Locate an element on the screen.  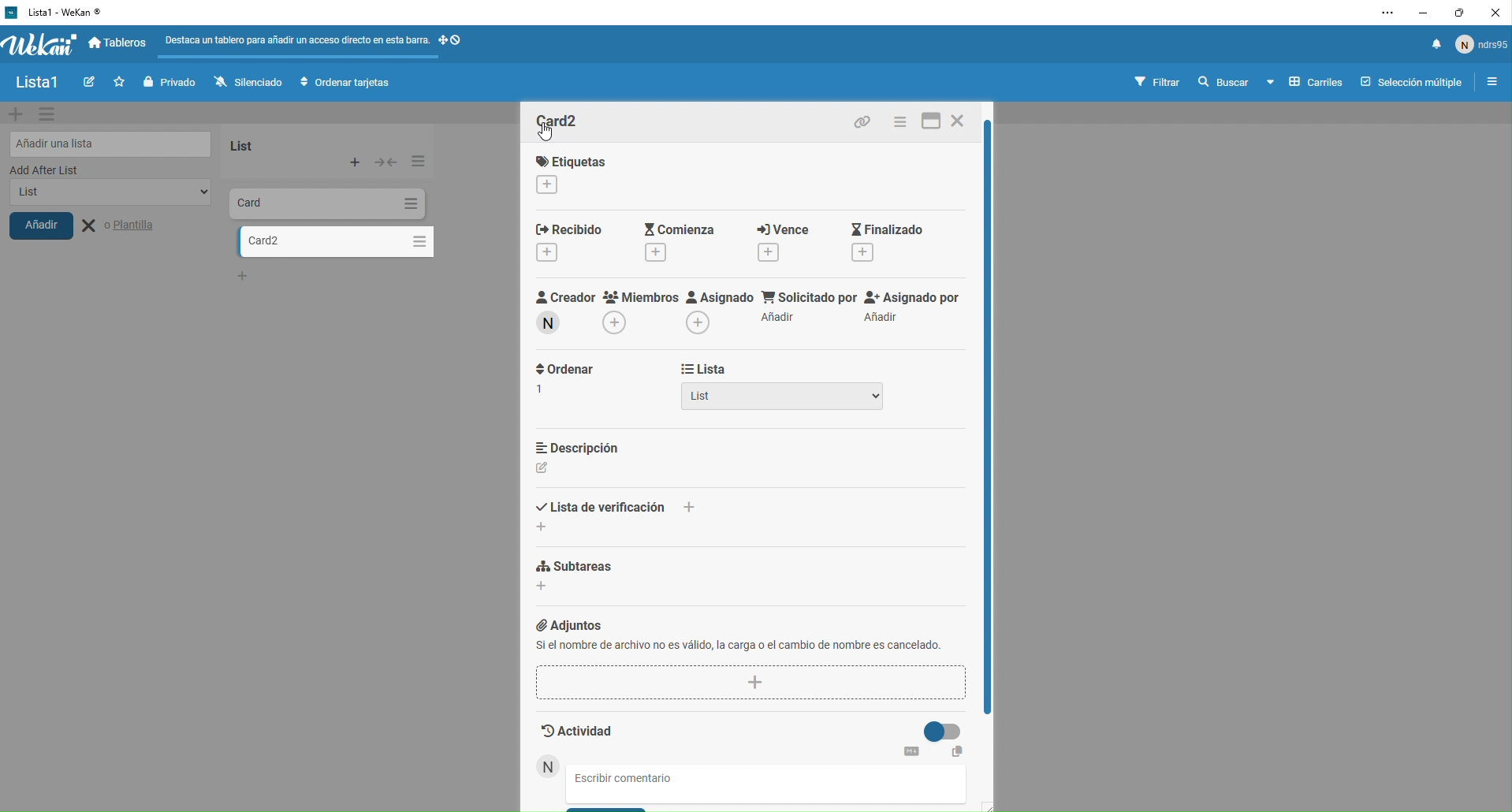
silenciado is located at coordinates (244, 82).